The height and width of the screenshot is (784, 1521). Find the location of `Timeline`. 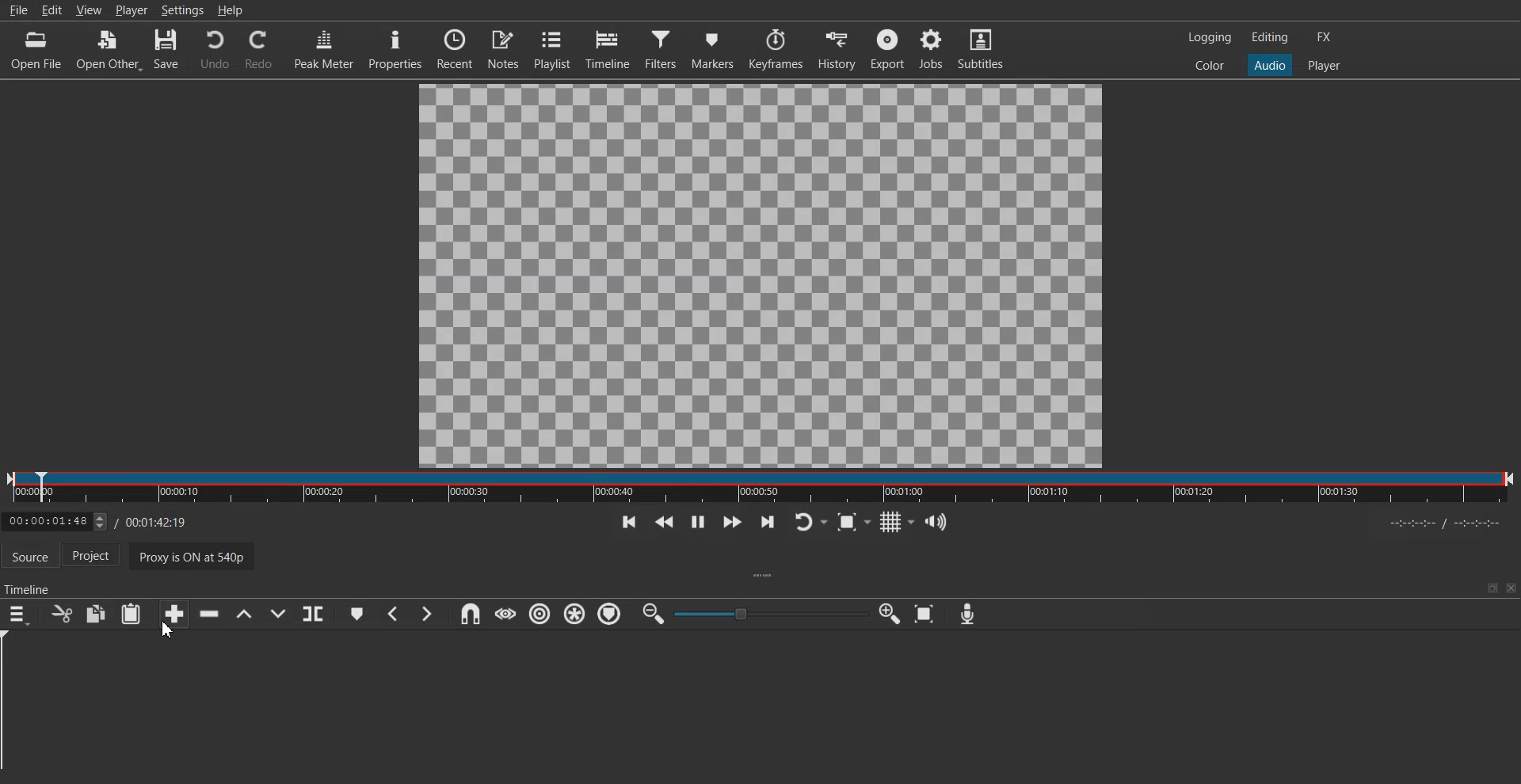

Timeline is located at coordinates (29, 585).